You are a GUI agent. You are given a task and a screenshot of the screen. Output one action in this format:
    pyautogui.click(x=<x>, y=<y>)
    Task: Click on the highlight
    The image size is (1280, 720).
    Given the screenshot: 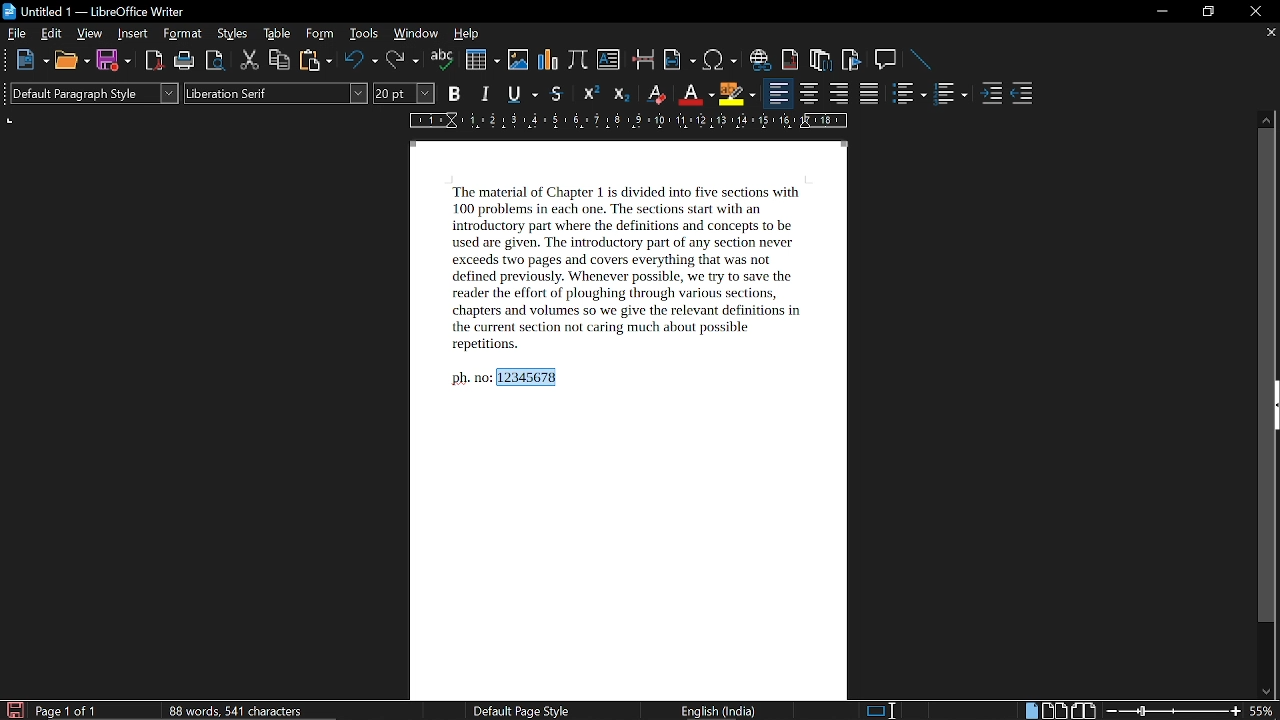 What is the action you would take?
    pyautogui.click(x=737, y=94)
    